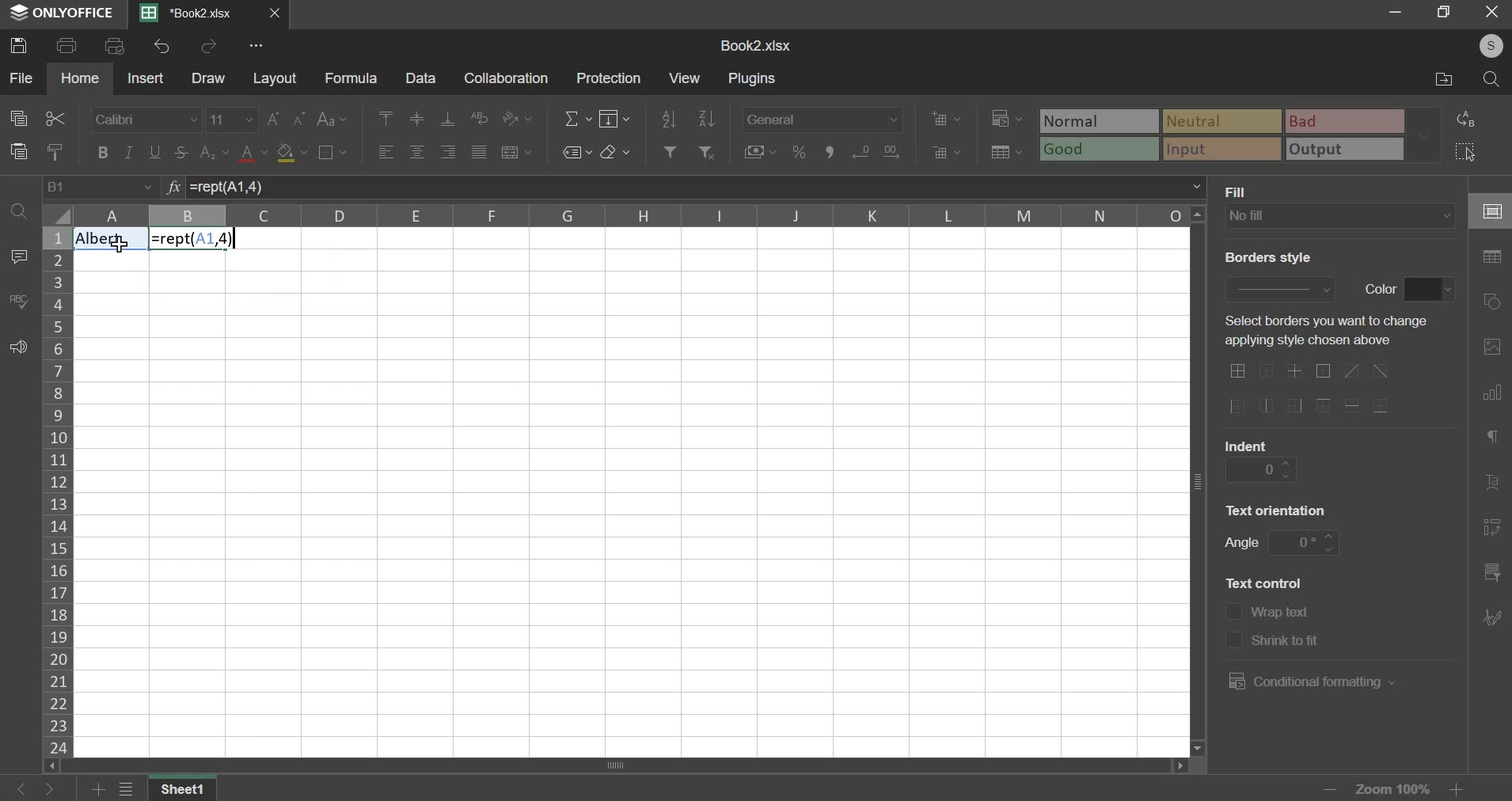 Image resolution: width=1512 pixels, height=801 pixels. Describe the element at coordinates (287, 119) in the screenshot. I see `font size increase/decrease` at that location.